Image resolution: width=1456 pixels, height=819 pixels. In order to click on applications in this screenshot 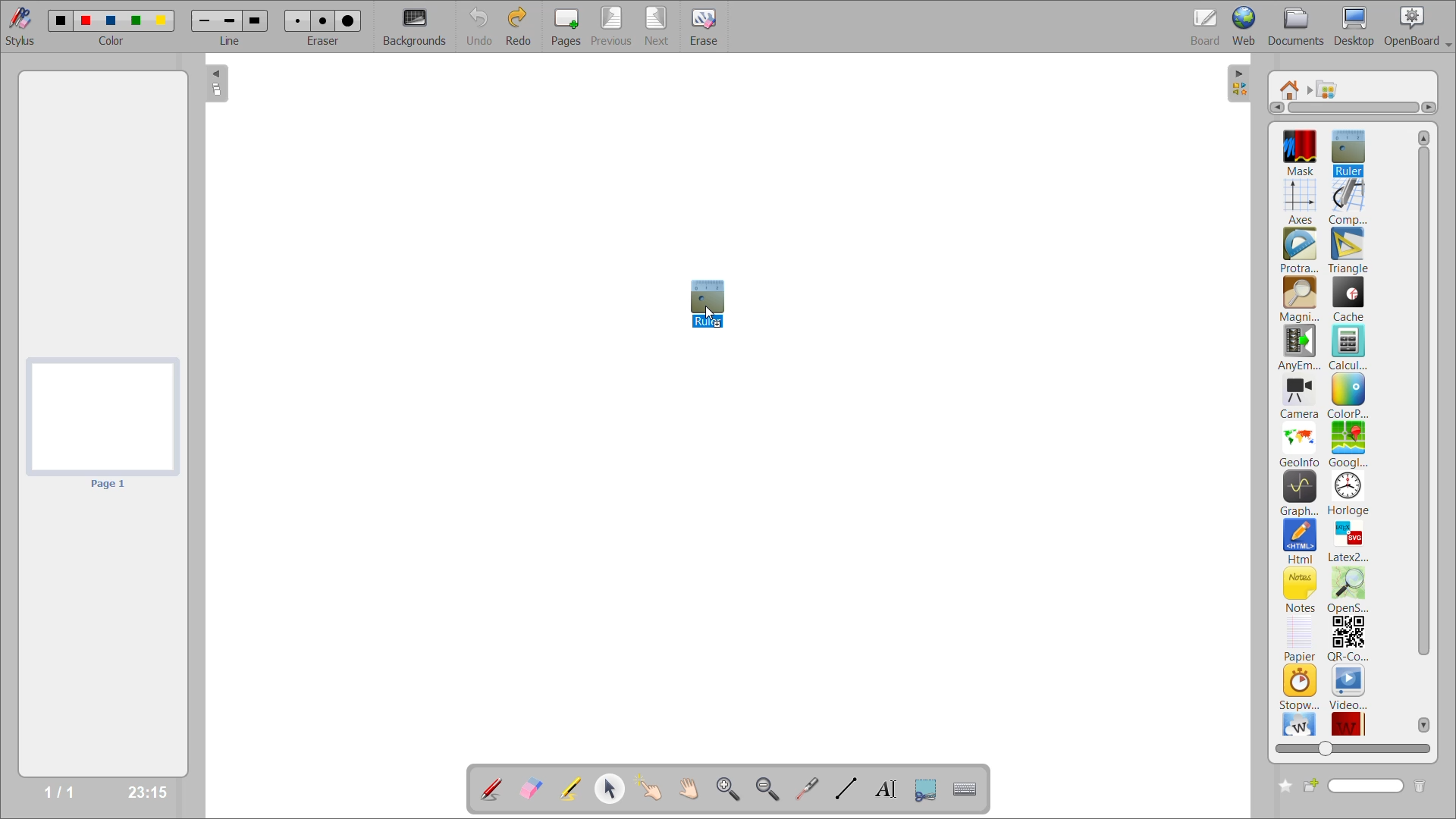, I will do `click(1332, 89)`.